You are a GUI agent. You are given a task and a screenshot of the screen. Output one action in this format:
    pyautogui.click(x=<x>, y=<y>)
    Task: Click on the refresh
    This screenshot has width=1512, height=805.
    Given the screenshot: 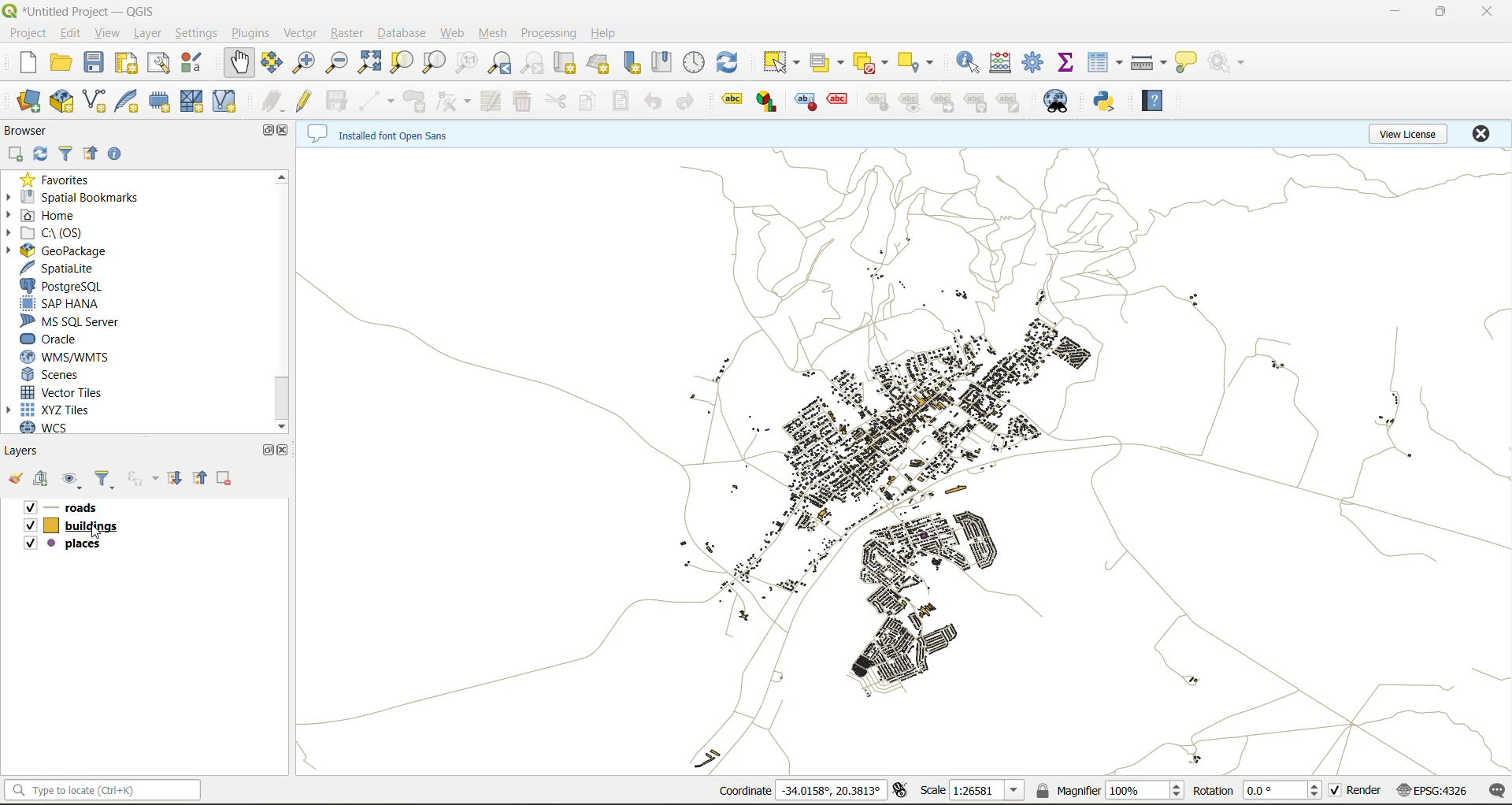 What is the action you would take?
    pyautogui.click(x=41, y=156)
    